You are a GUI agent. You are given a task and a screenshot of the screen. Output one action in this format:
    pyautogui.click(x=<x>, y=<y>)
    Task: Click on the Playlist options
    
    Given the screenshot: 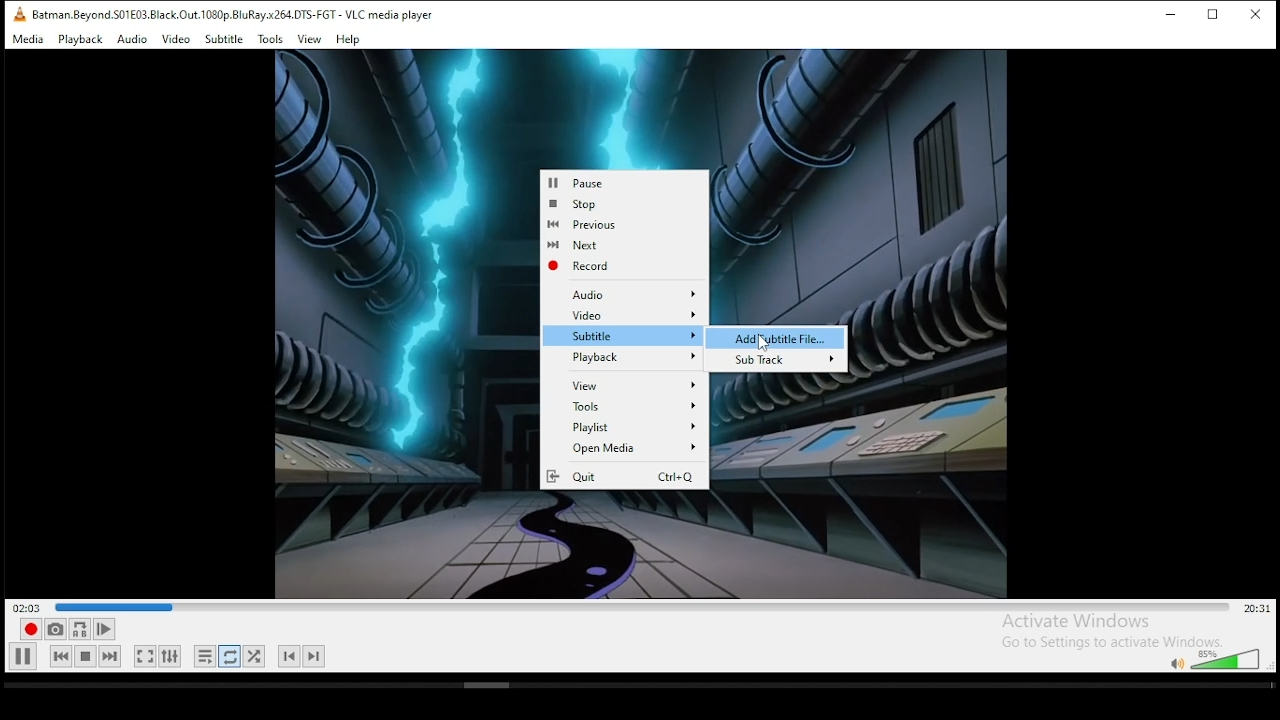 What is the action you would take?
    pyautogui.click(x=625, y=426)
    